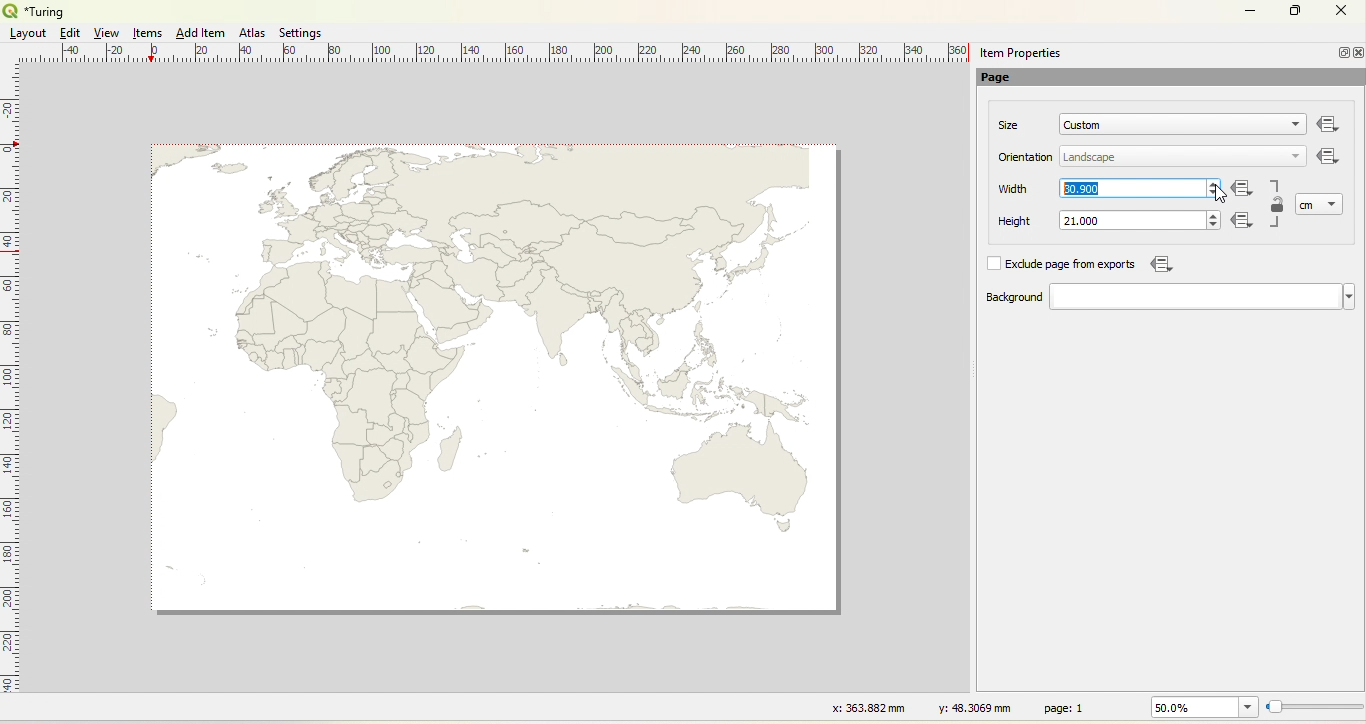 The height and width of the screenshot is (724, 1366). What do you see at coordinates (1329, 158) in the screenshot?
I see `Icon` at bounding box center [1329, 158].